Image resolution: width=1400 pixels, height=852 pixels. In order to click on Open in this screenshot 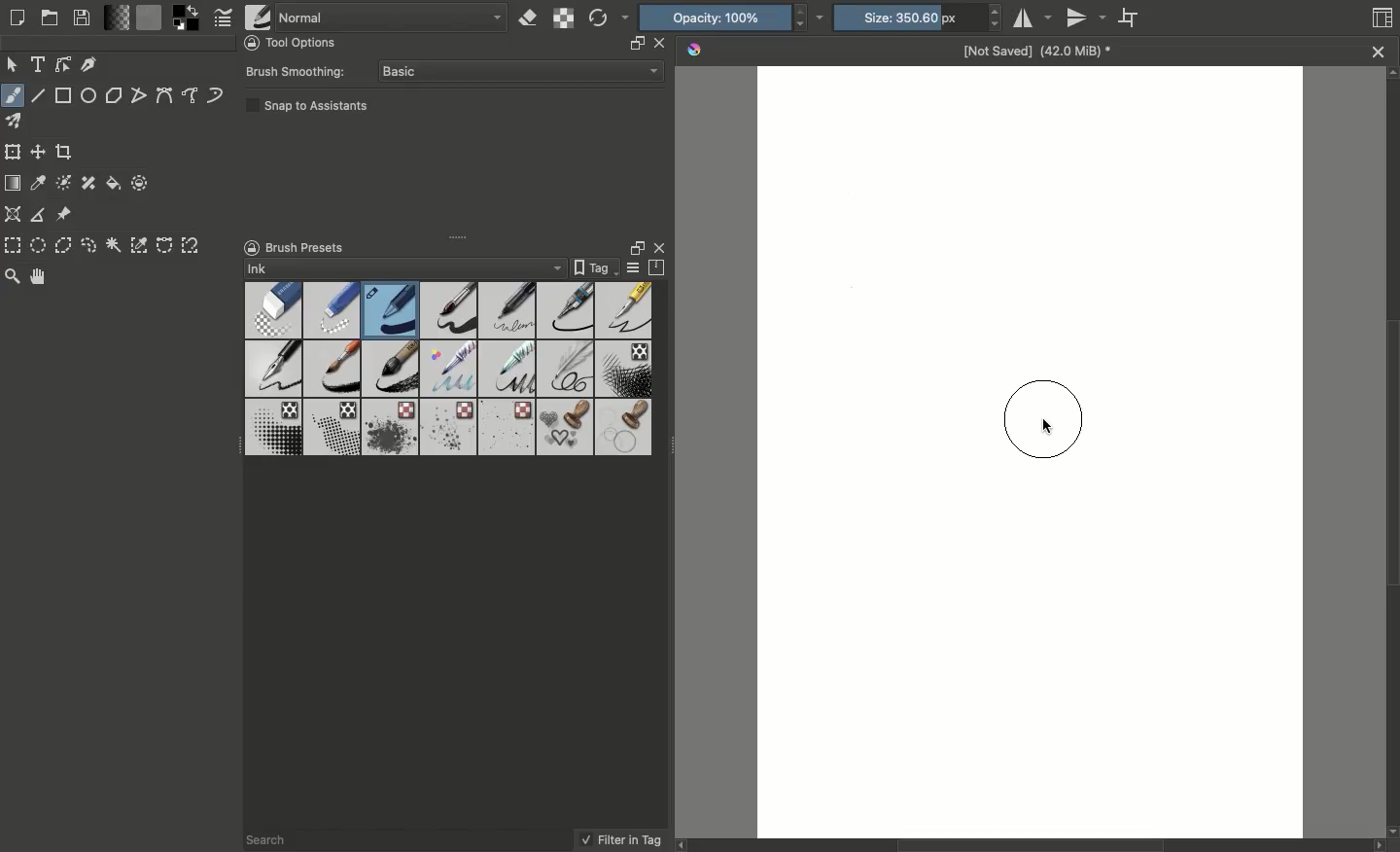, I will do `click(51, 18)`.